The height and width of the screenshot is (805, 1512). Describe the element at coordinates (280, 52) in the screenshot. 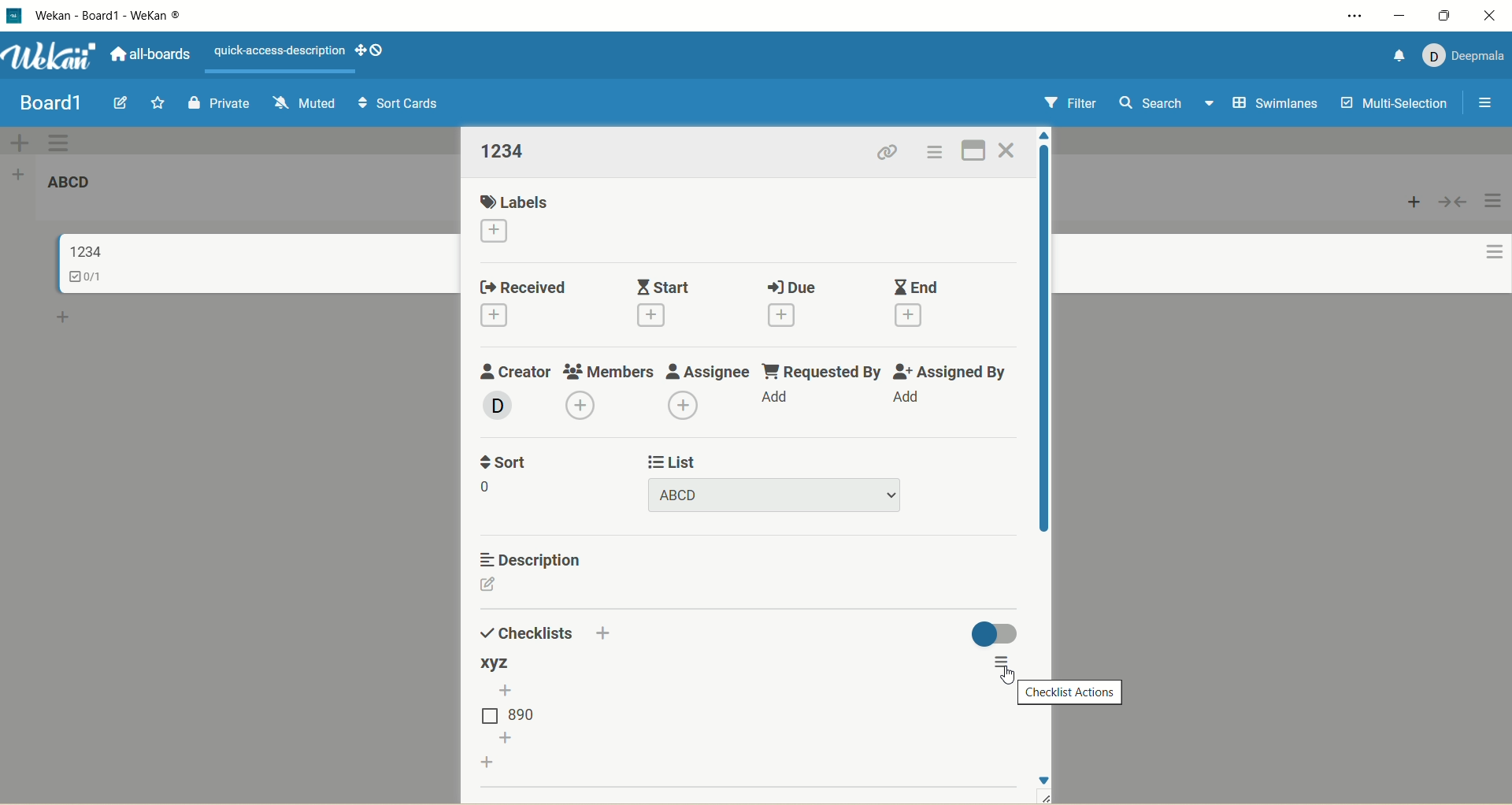

I see `text` at that location.